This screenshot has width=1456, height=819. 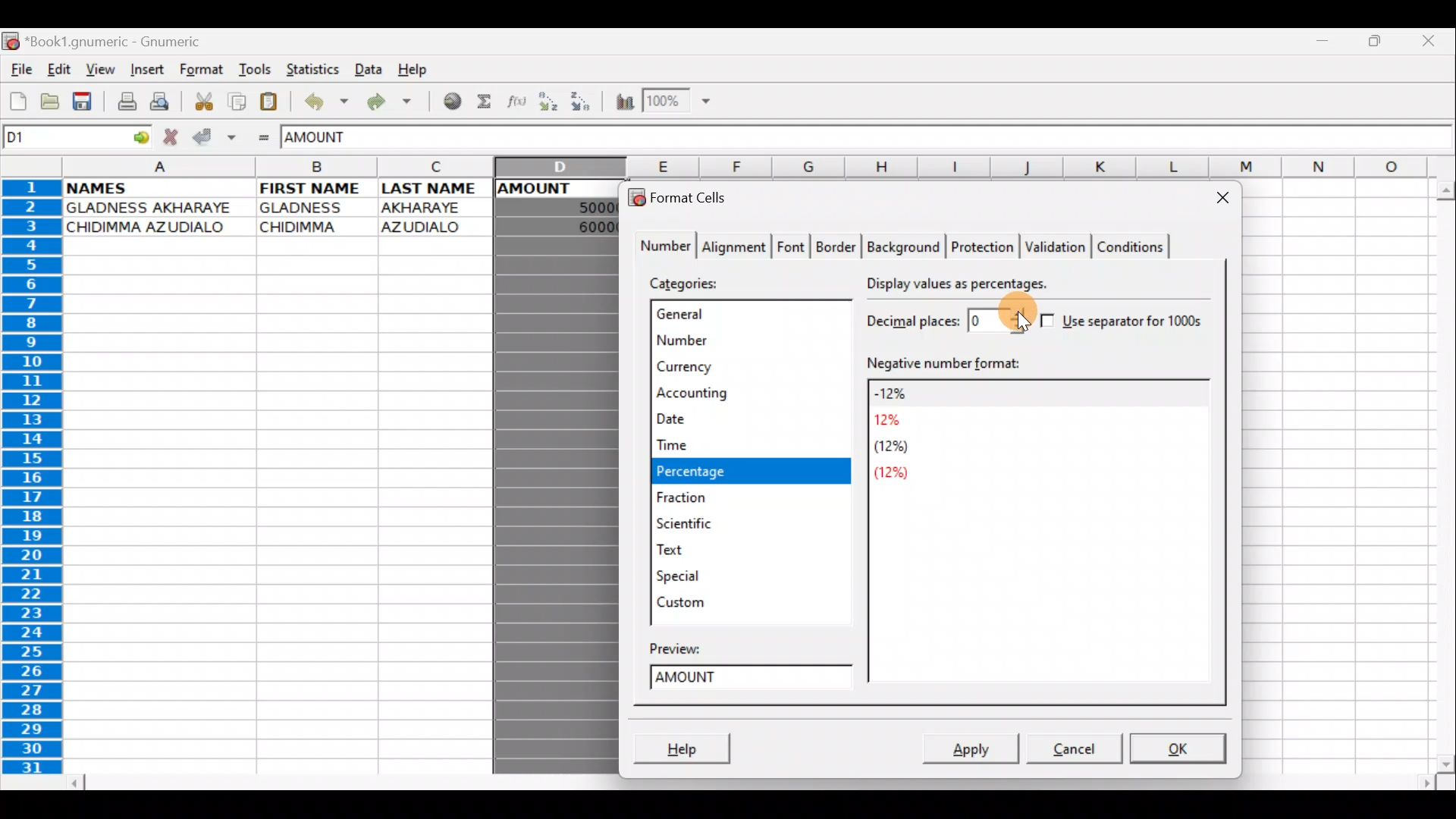 I want to click on CHIDIMMA, so click(x=308, y=227).